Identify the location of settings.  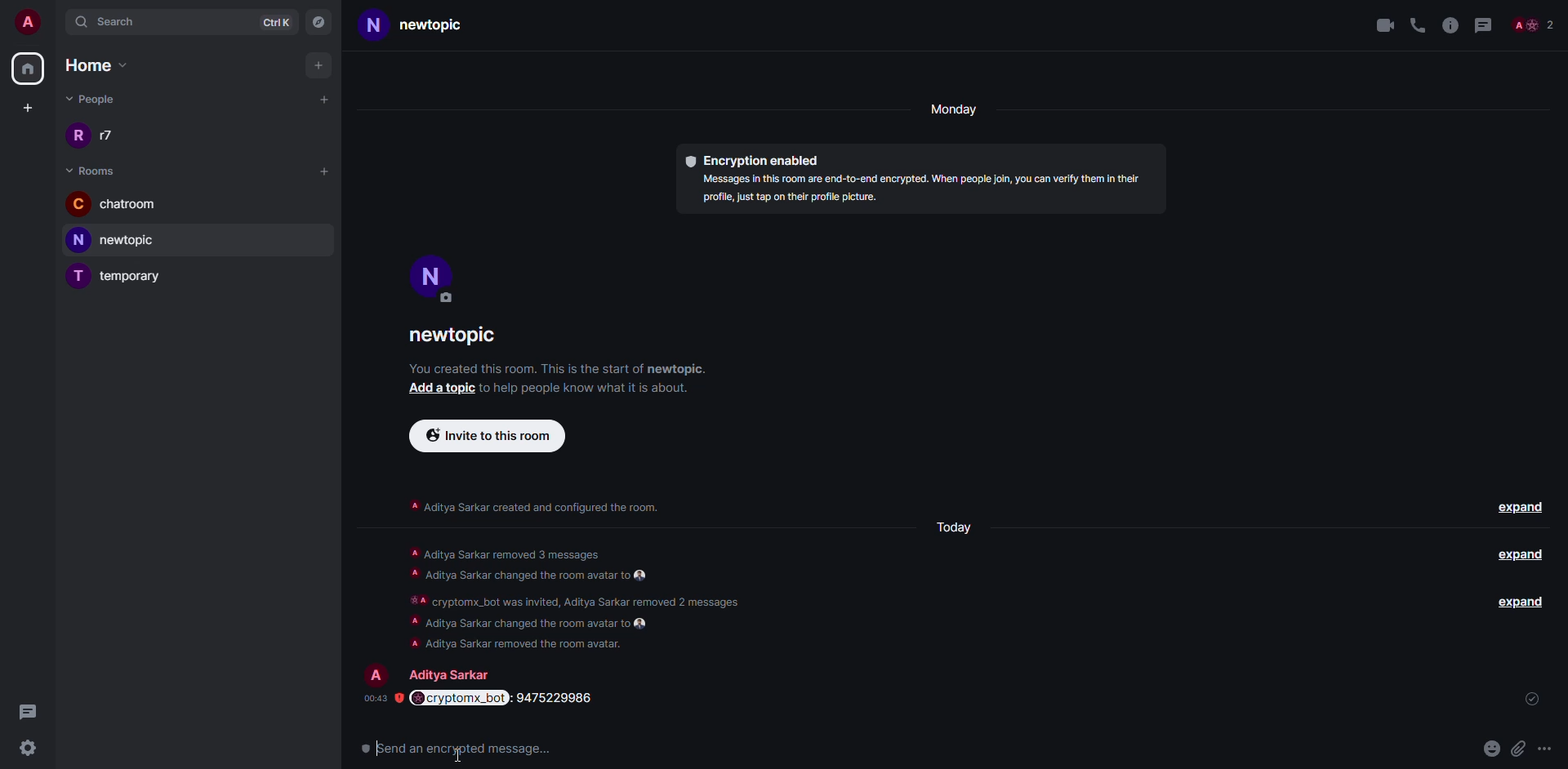
(27, 749).